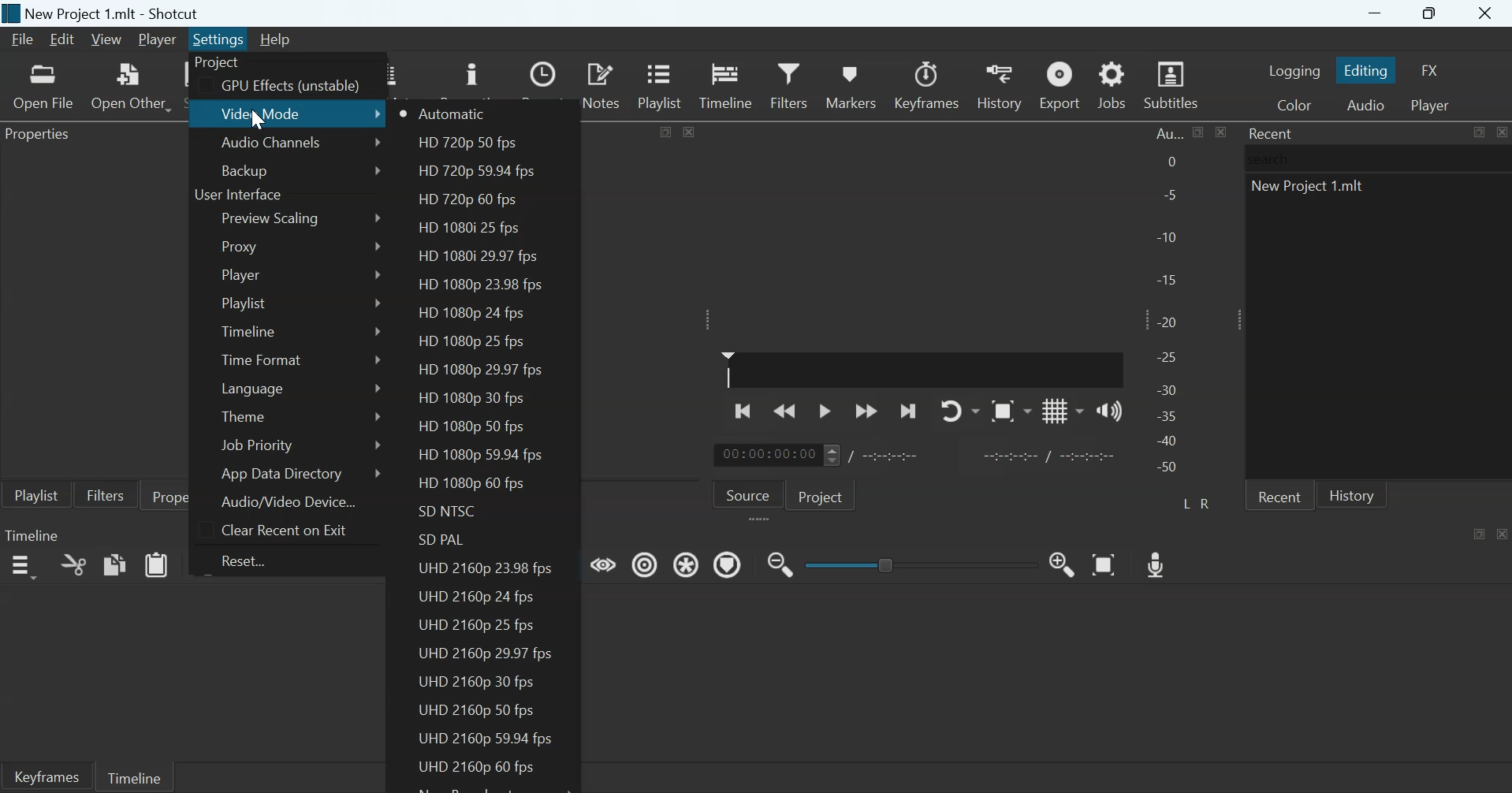 The image size is (1512, 793). Describe the element at coordinates (780, 563) in the screenshot. I see `zoom timeline out` at that location.